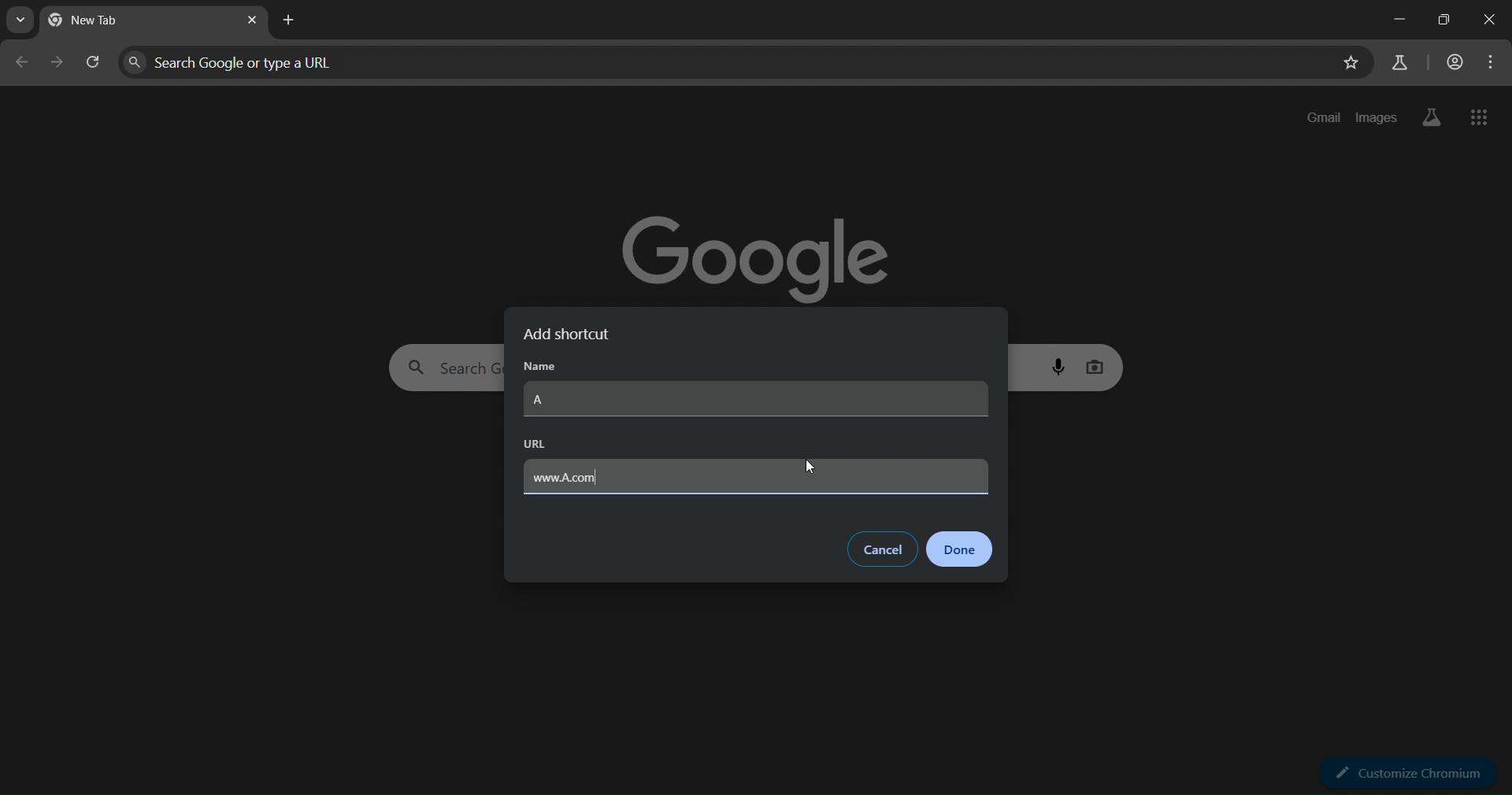 Image resolution: width=1512 pixels, height=795 pixels. I want to click on voice search, so click(1061, 366).